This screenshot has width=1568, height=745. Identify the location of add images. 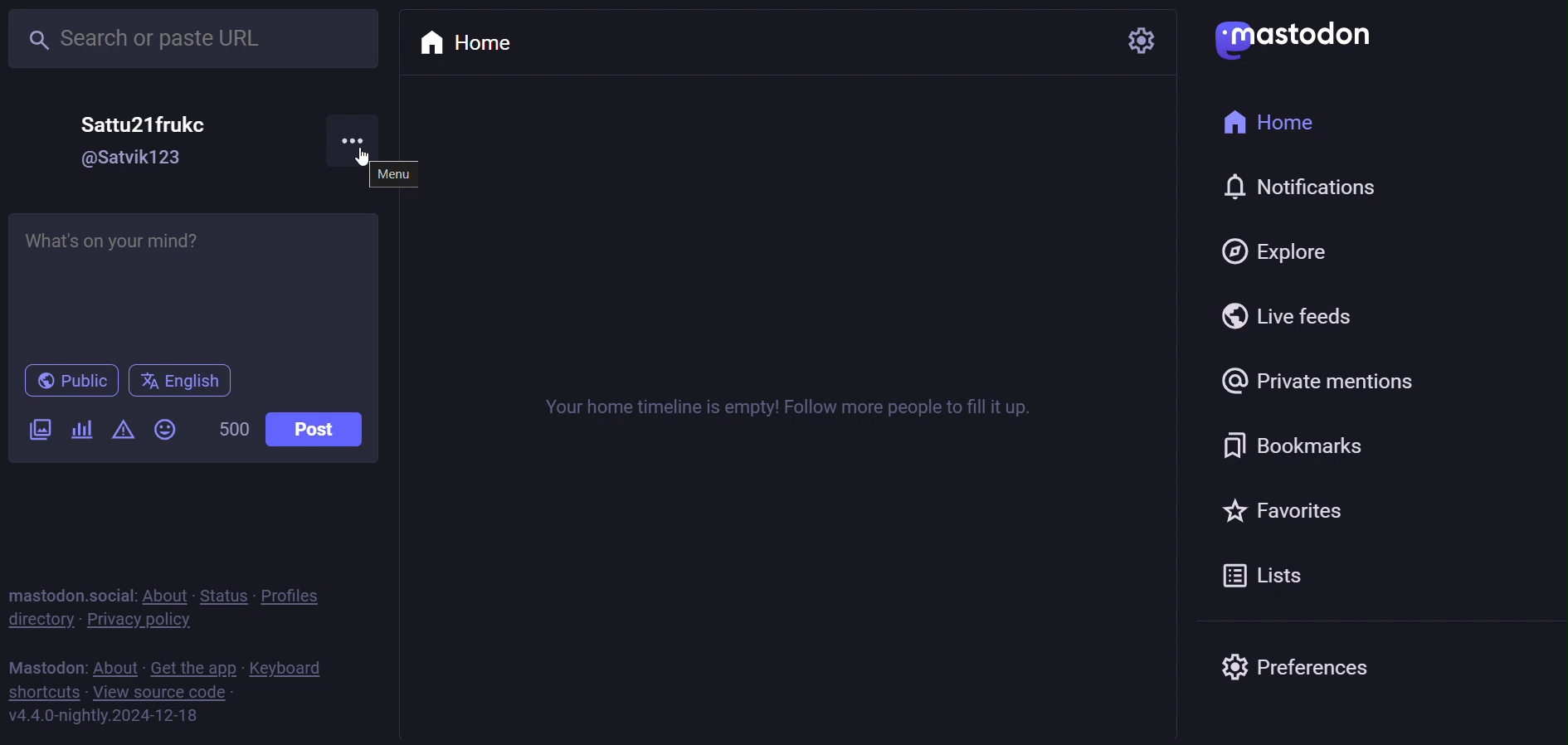
(37, 428).